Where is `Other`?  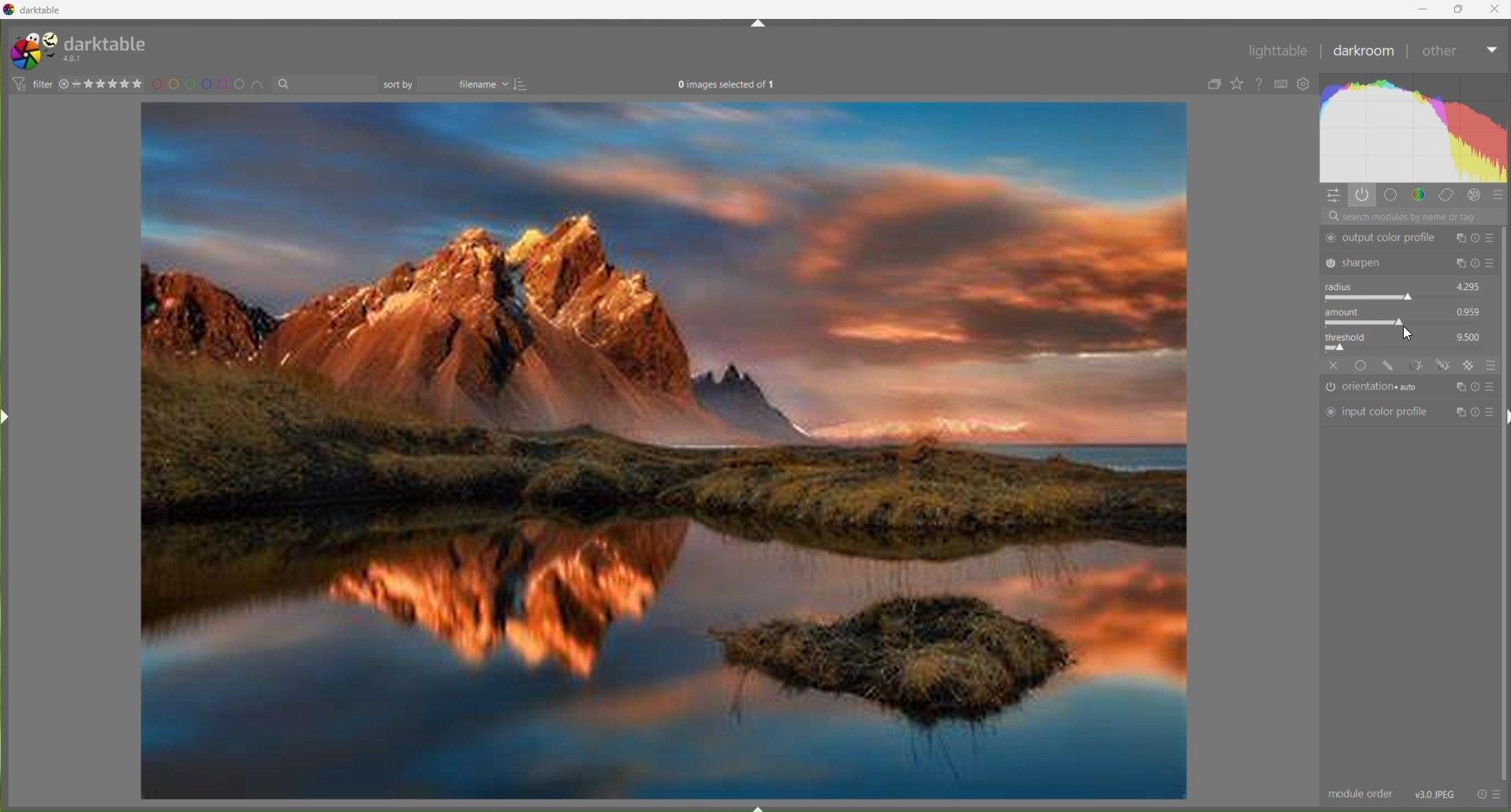 Other is located at coordinates (1458, 54).